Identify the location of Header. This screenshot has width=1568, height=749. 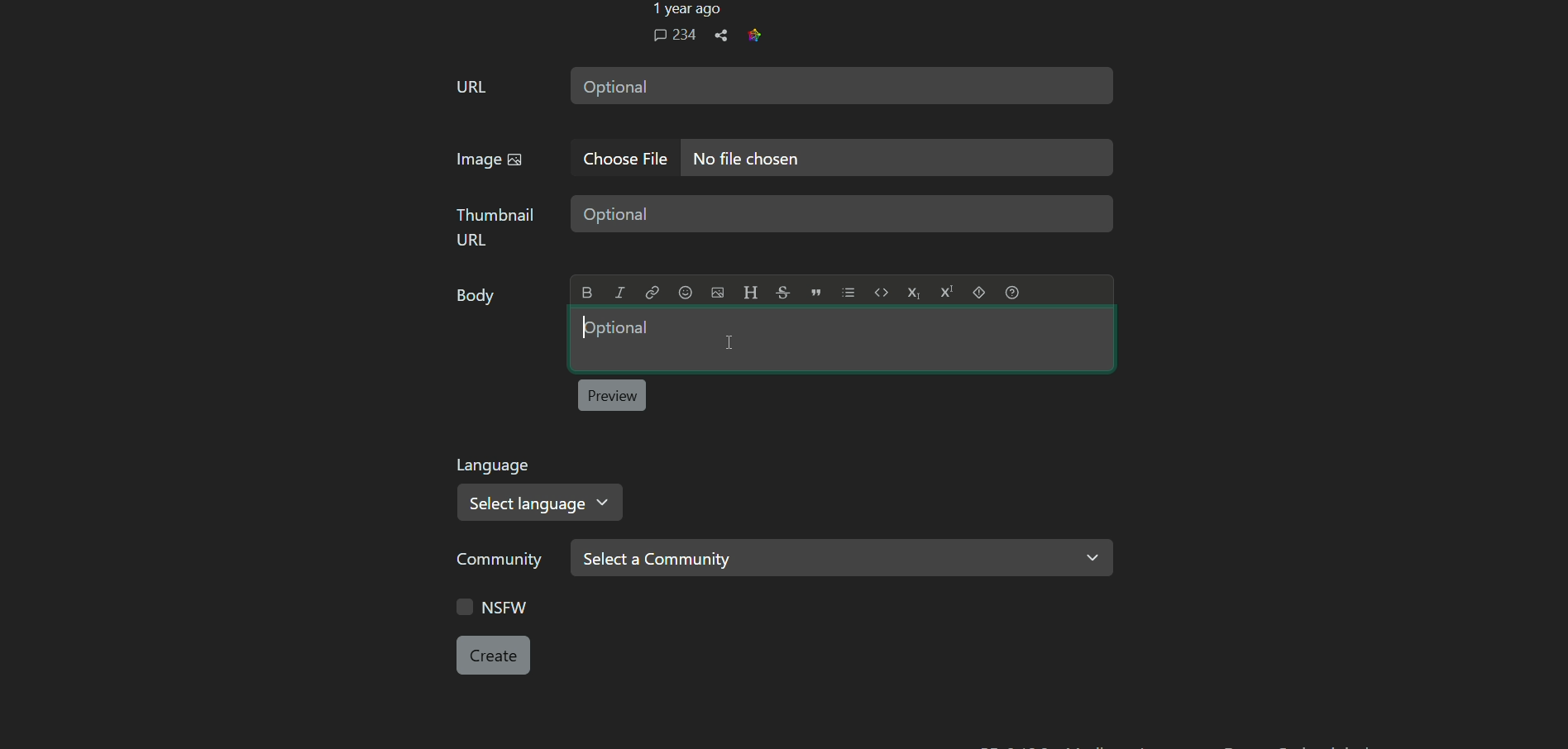
(750, 292).